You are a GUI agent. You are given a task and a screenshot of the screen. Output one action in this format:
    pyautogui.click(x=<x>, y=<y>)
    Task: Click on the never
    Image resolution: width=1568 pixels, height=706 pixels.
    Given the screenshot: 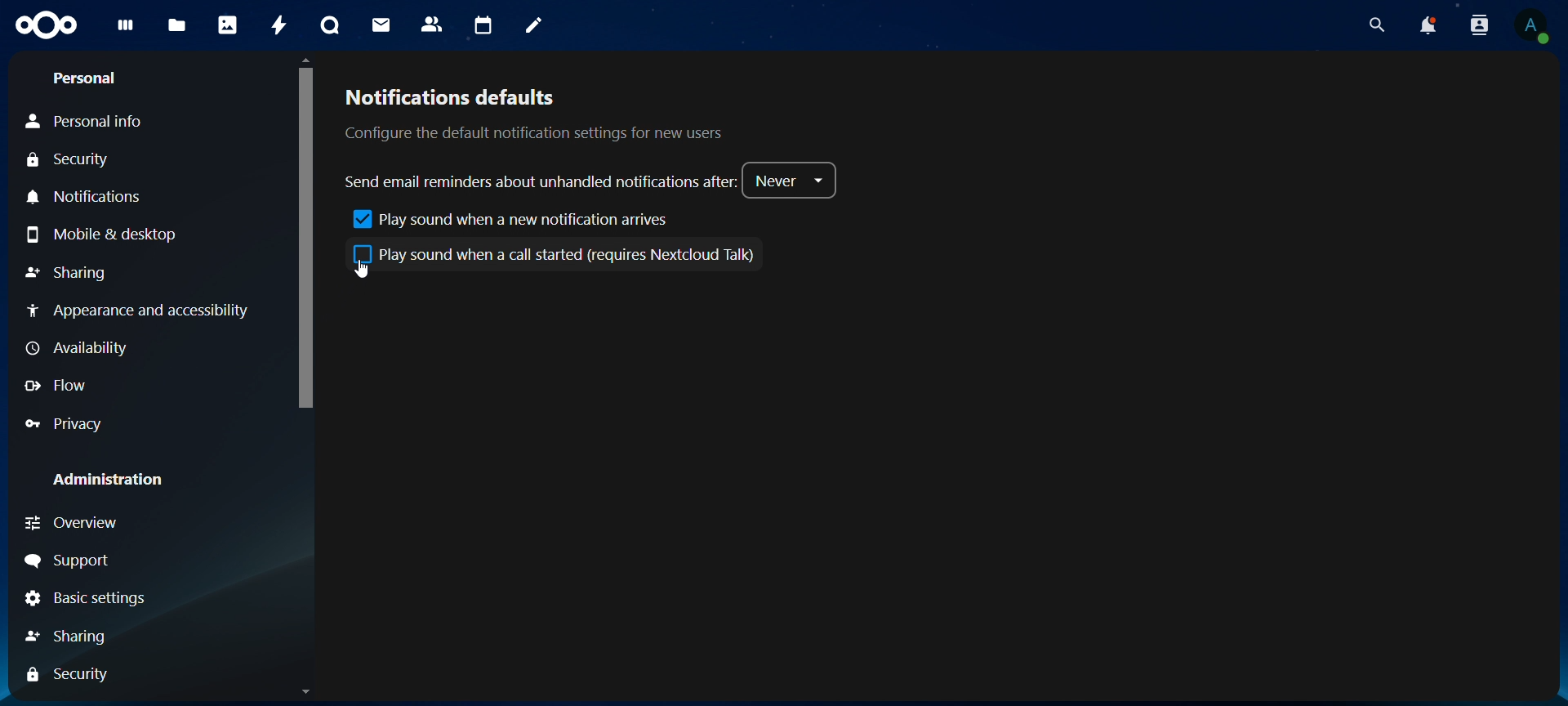 What is the action you would take?
    pyautogui.click(x=792, y=182)
    